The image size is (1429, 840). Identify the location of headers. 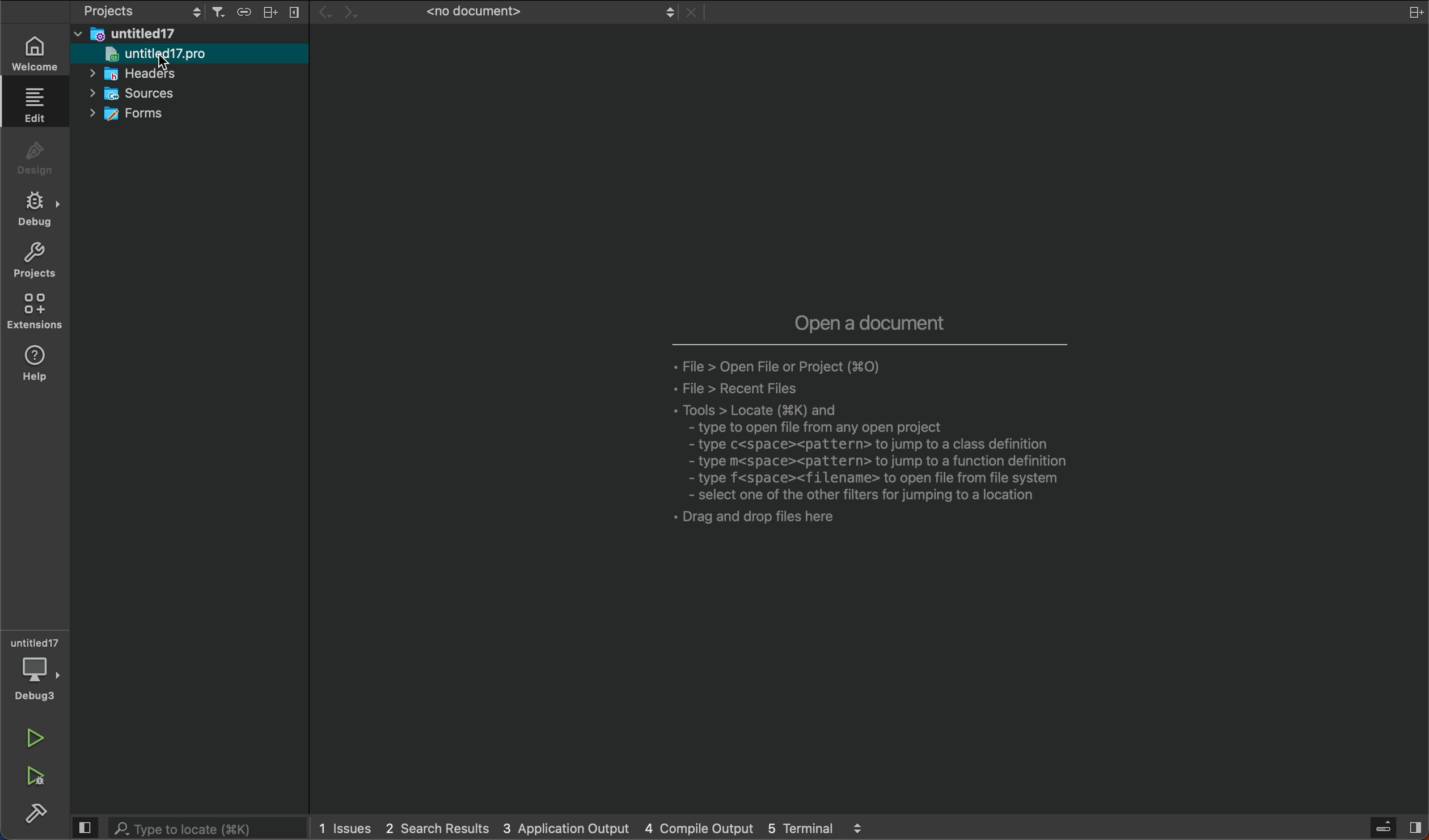
(144, 74).